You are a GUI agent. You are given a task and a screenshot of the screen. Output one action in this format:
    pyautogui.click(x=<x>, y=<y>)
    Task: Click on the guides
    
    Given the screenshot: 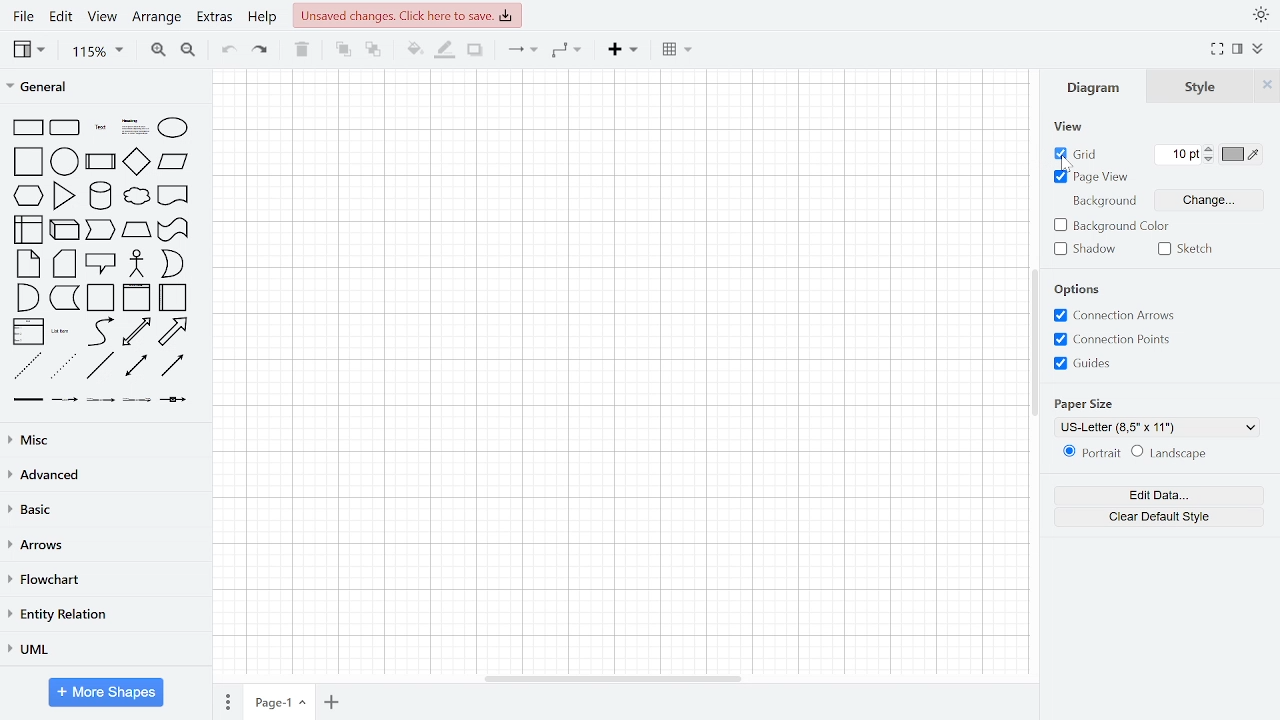 What is the action you would take?
    pyautogui.click(x=1088, y=364)
    